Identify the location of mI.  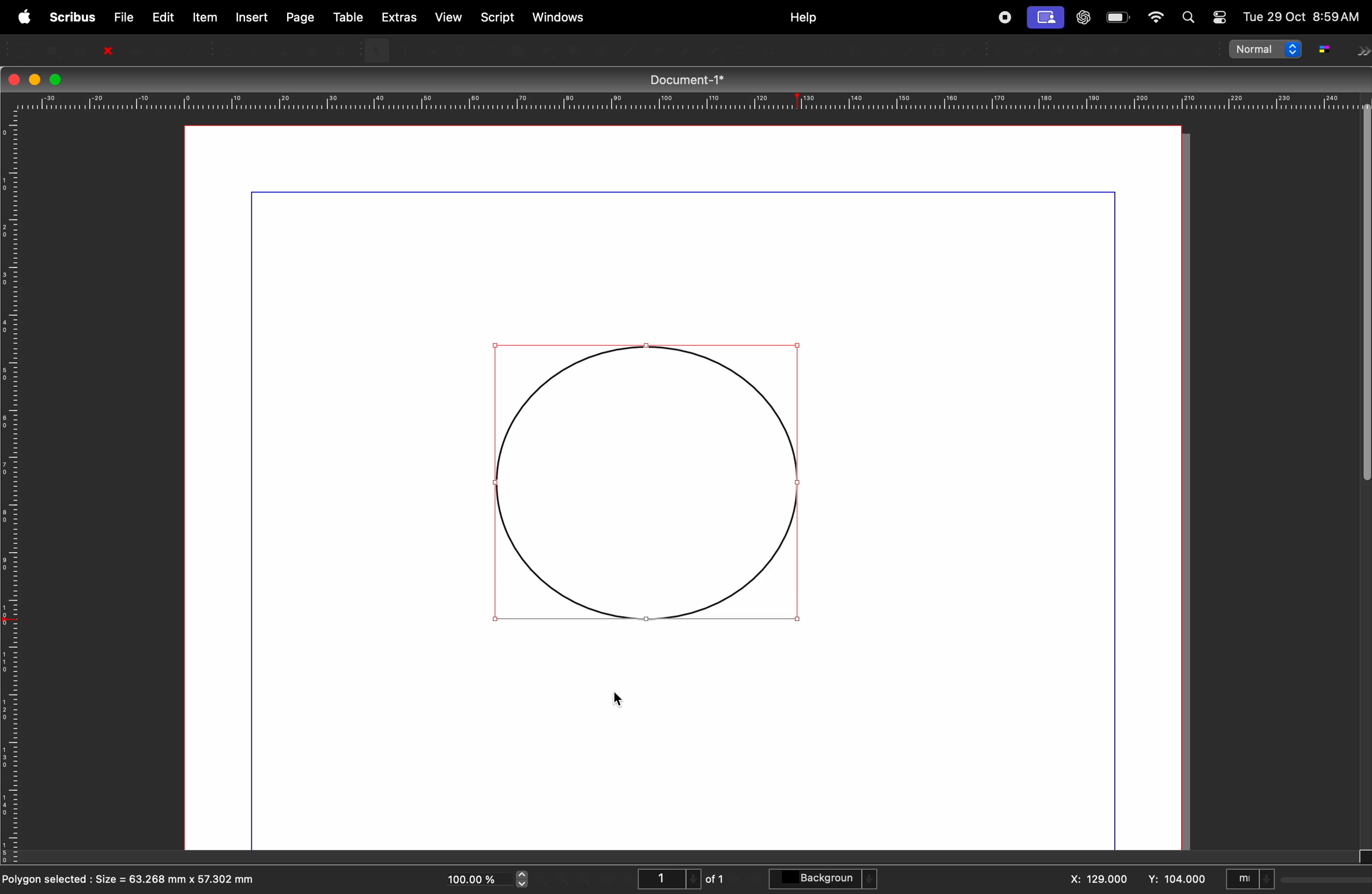
(1250, 877).